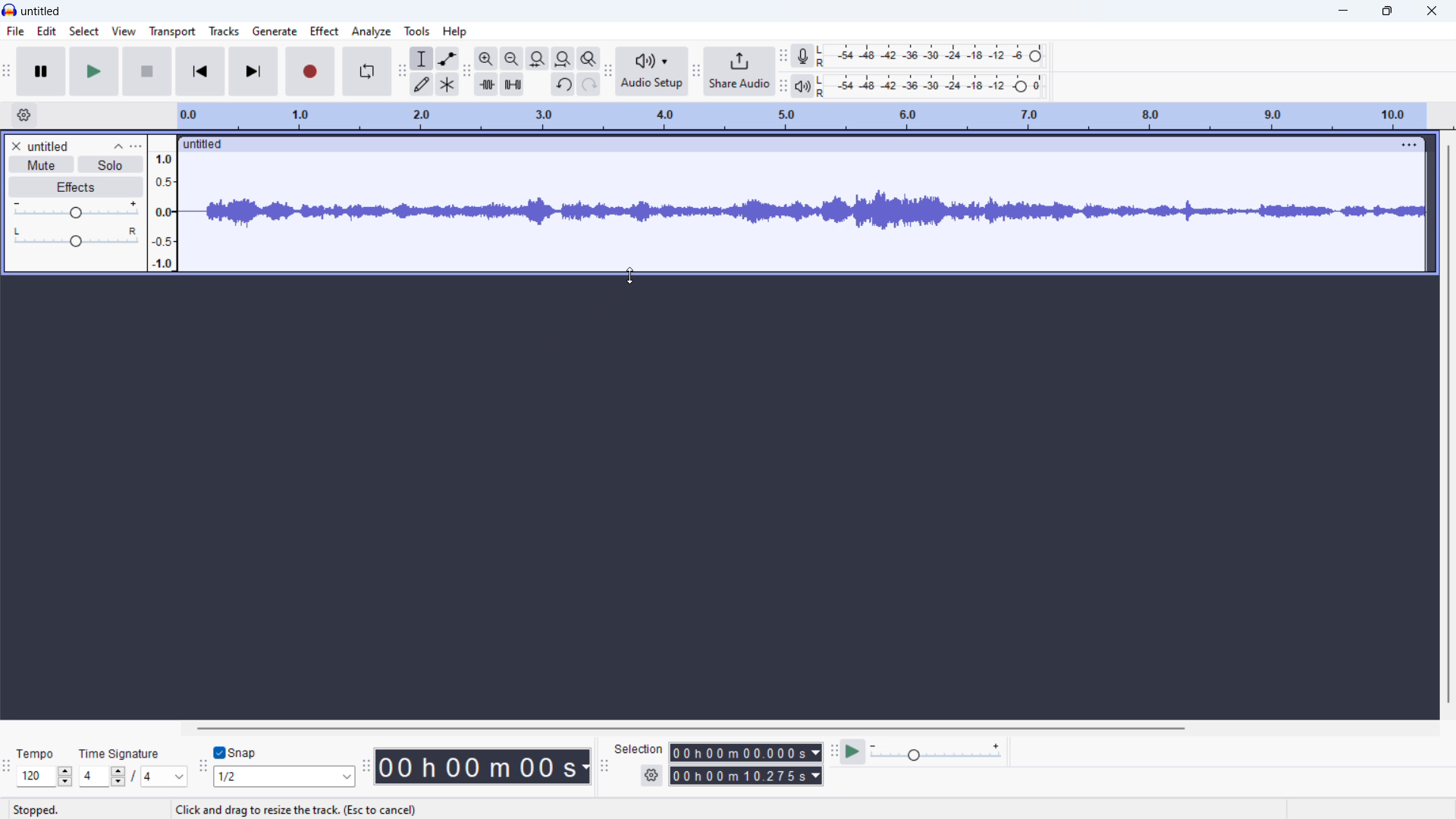 This screenshot has width=1456, height=819. Describe the element at coordinates (110, 164) in the screenshot. I see `solo` at that location.